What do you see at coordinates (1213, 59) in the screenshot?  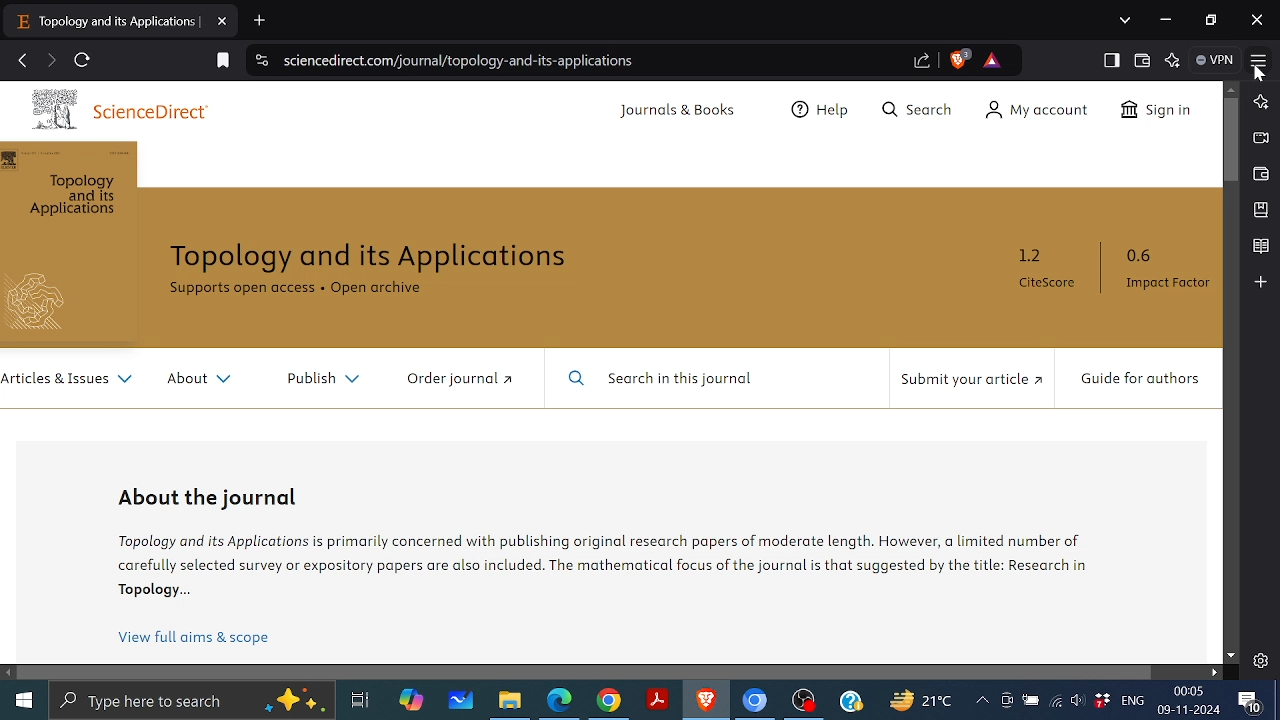 I see `VPN` at bounding box center [1213, 59].